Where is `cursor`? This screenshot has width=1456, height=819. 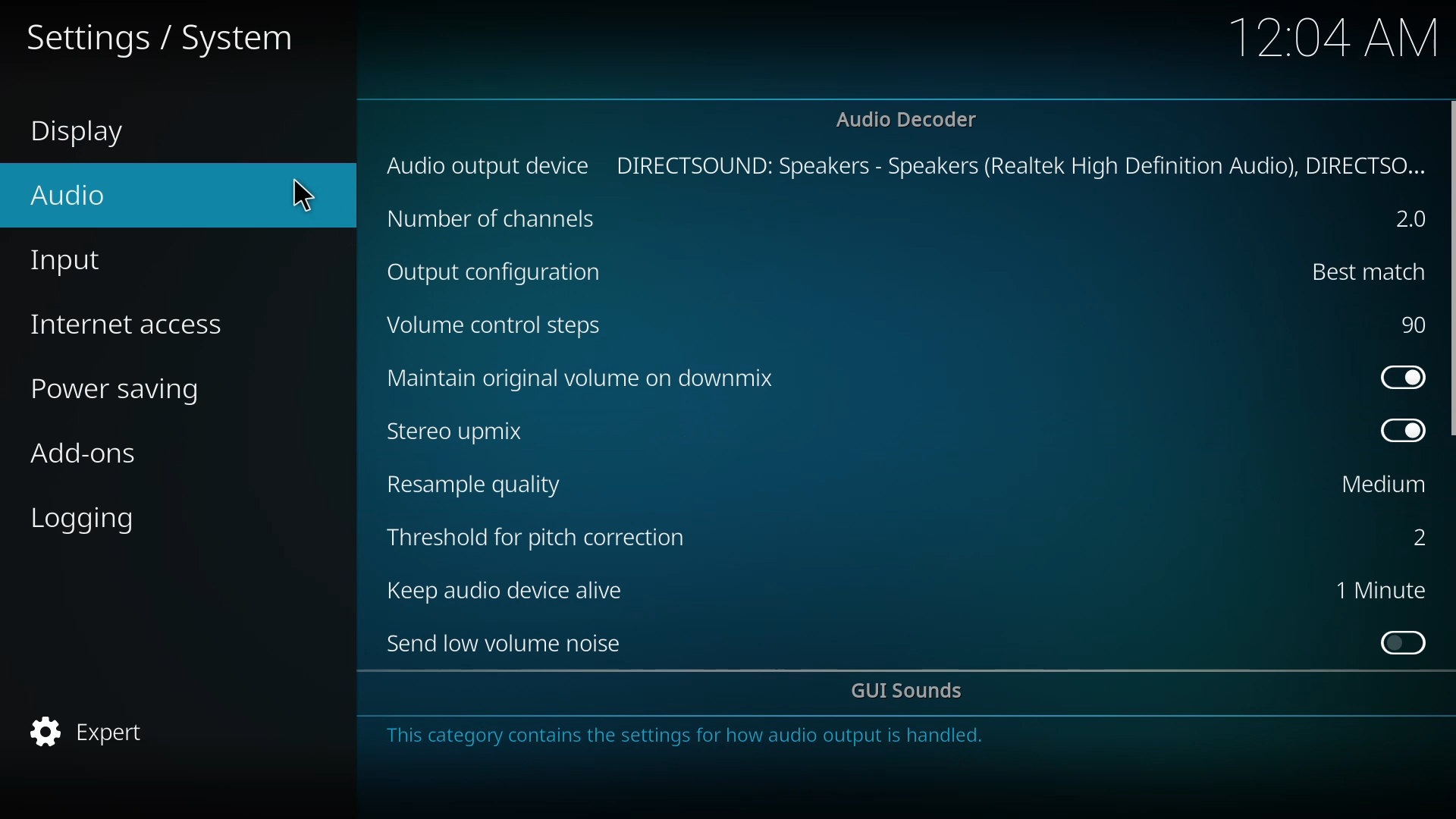
cursor is located at coordinates (299, 192).